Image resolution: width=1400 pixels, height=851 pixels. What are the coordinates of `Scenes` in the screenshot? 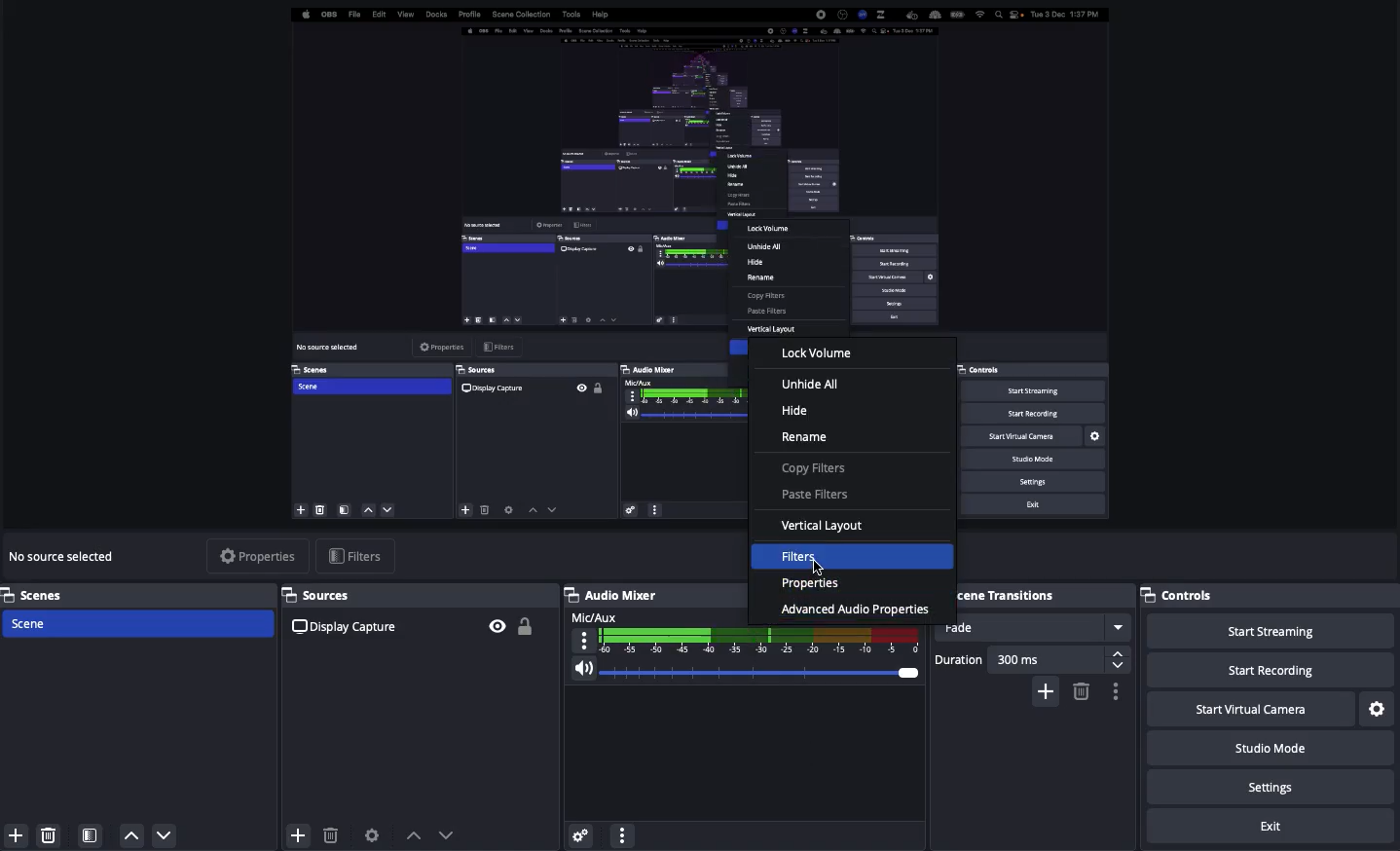 It's located at (138, 594).